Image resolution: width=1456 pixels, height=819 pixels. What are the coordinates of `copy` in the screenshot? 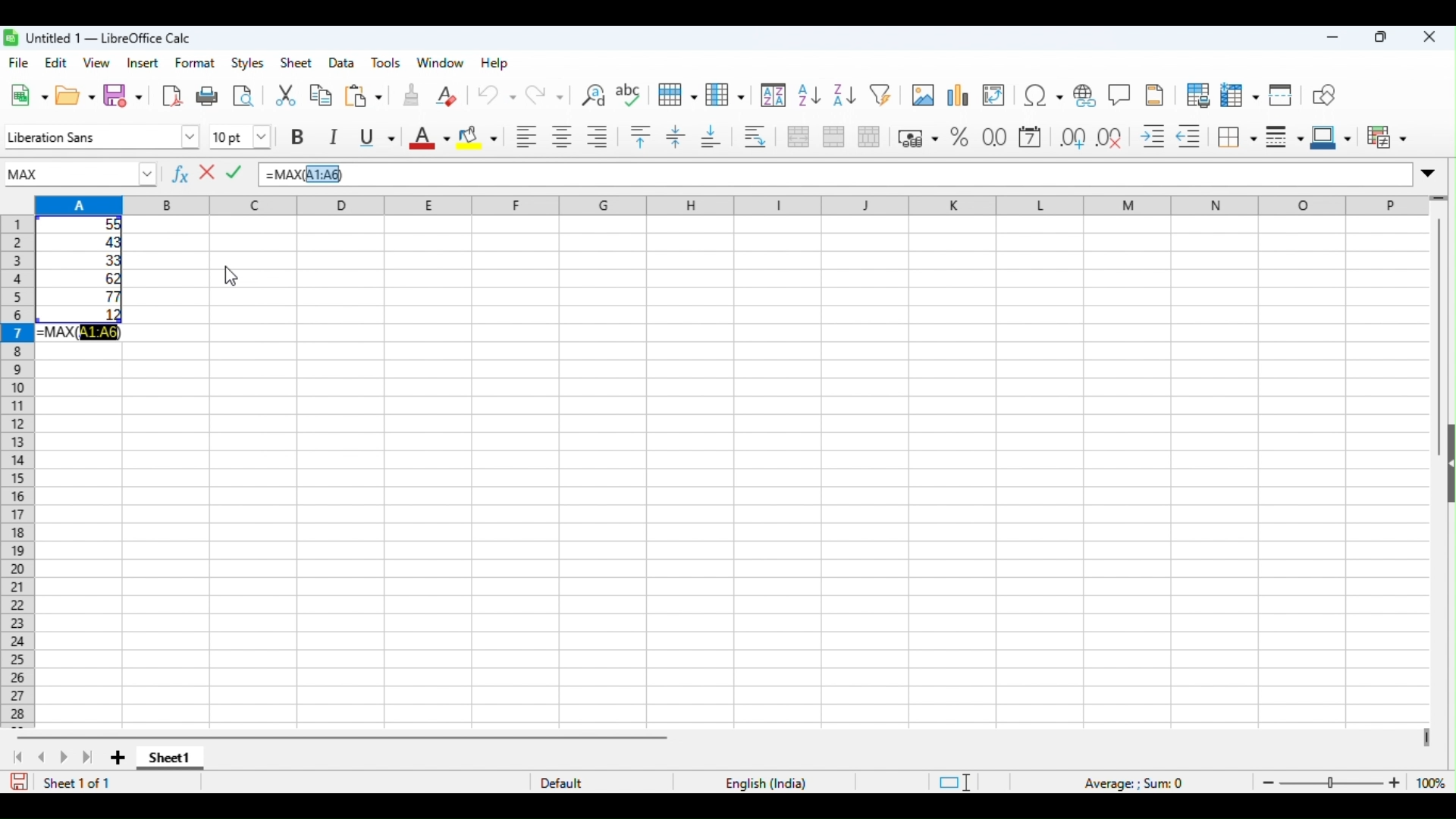 It's located at (320, 96).